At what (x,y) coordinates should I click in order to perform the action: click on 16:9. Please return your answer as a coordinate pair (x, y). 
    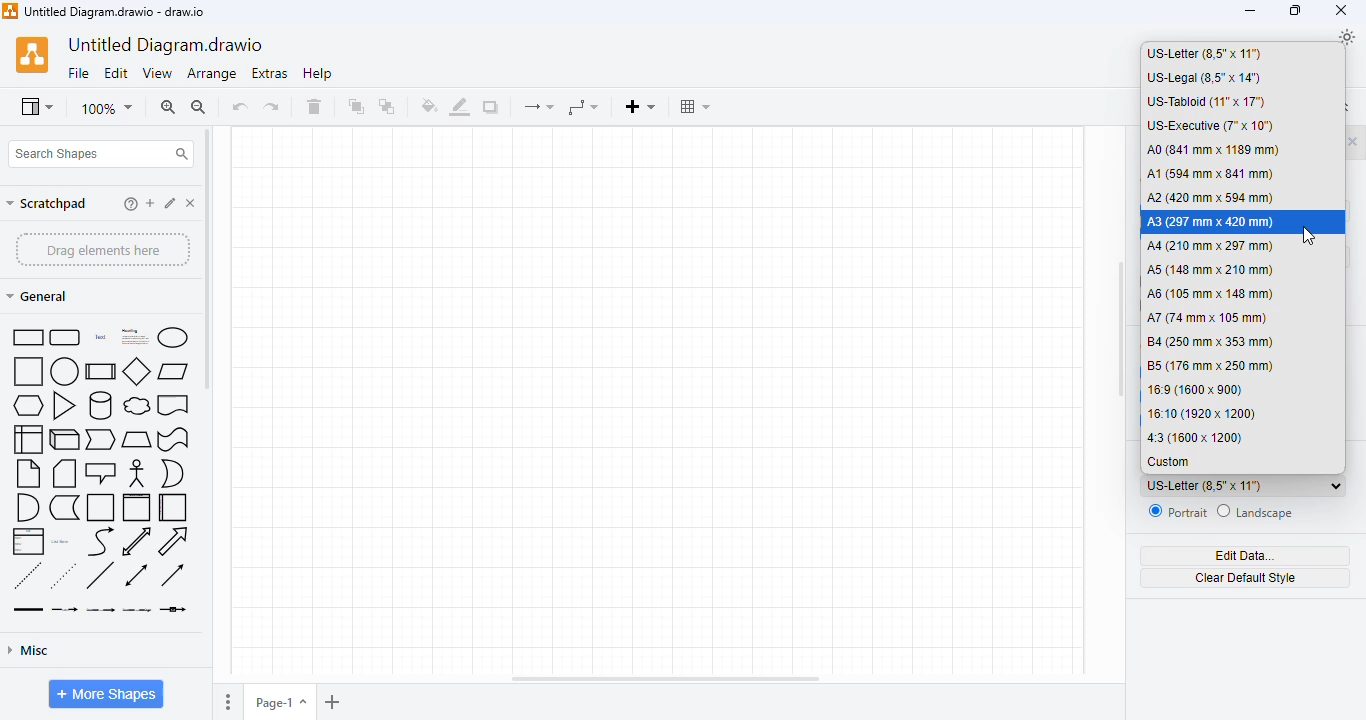
    Looking at the image, I should click on (1195, 389).